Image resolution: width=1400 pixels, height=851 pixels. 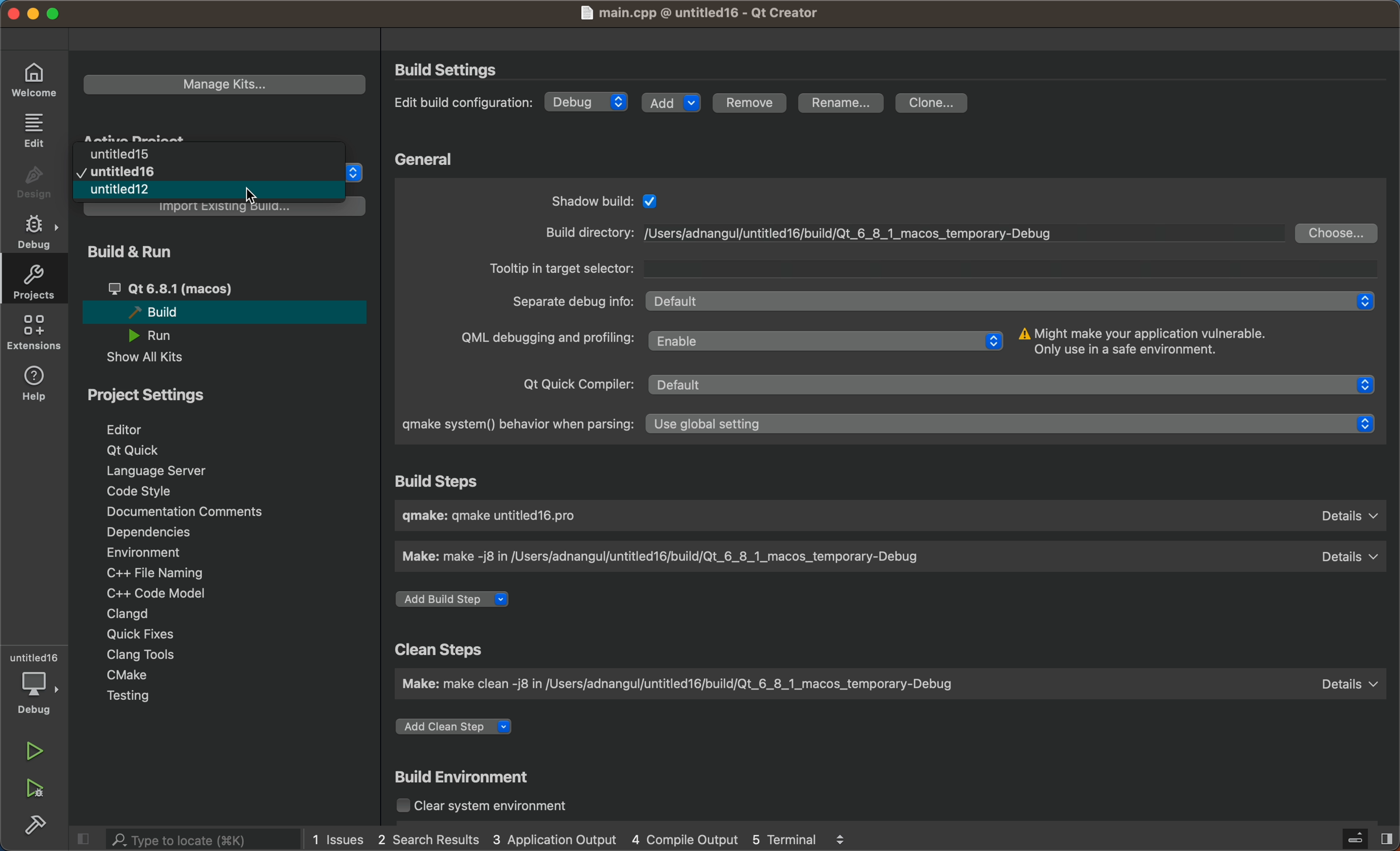 I want to click on , so click(x=889, y=557).